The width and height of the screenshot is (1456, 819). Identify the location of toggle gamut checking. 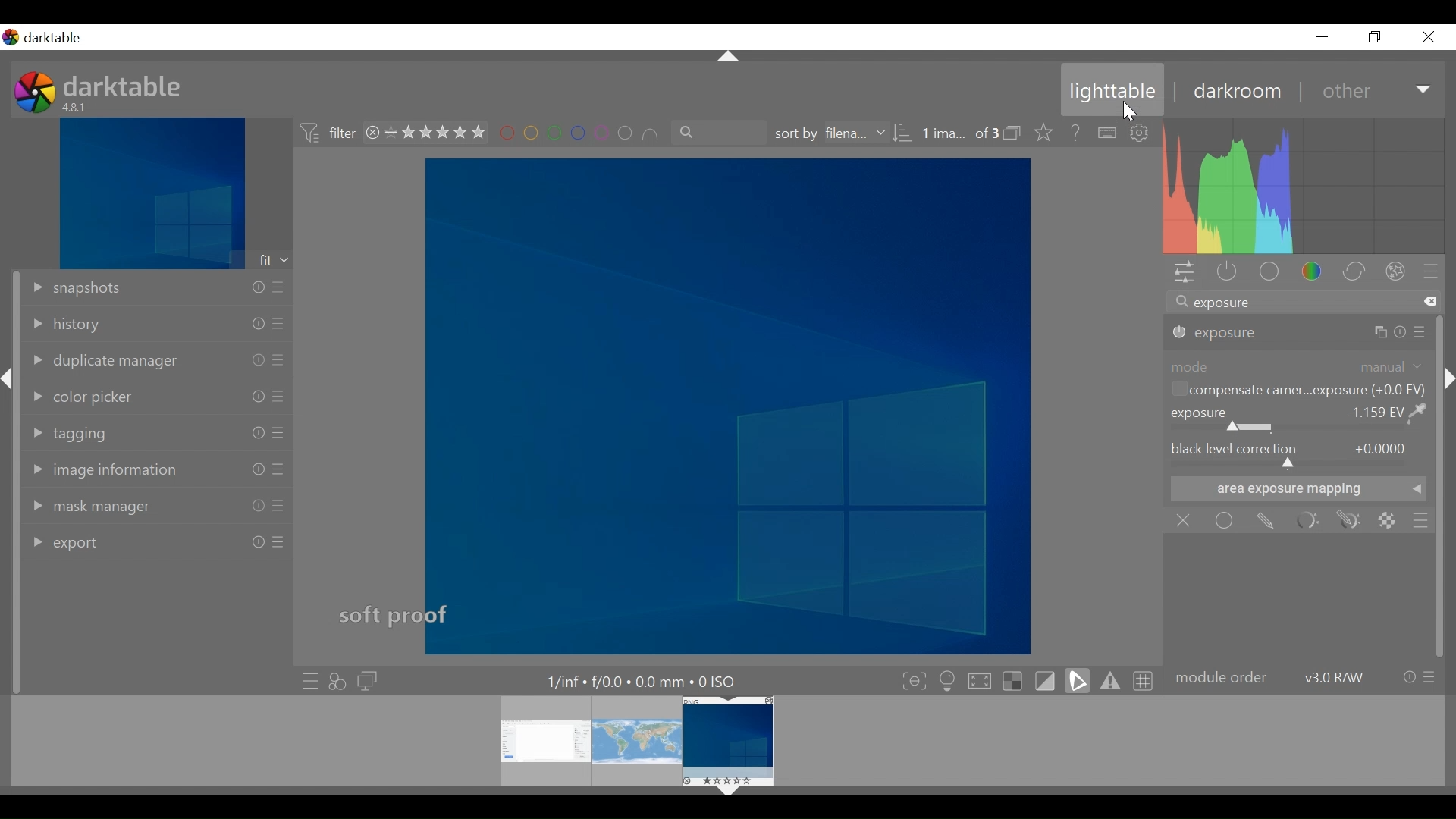
(1109, 681).